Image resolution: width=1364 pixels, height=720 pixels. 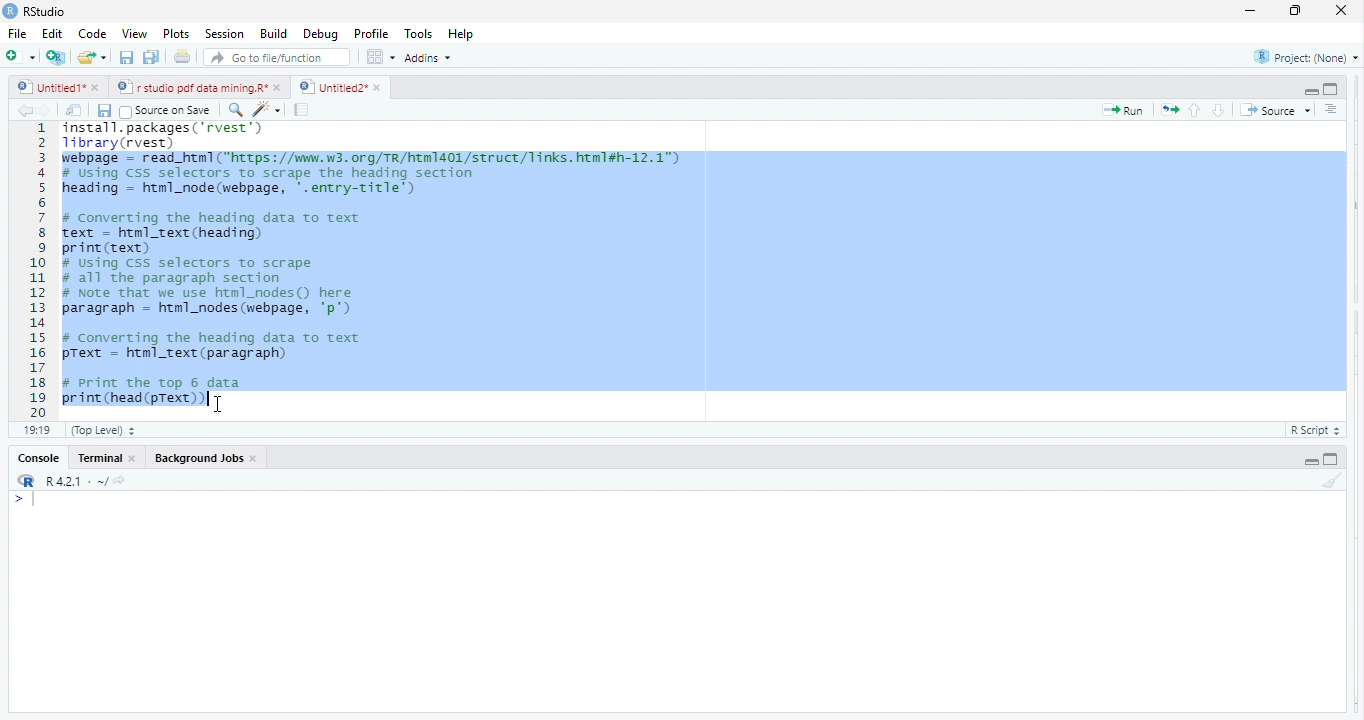 I want to click on  Go to file/function, so click(x=278, y=58).